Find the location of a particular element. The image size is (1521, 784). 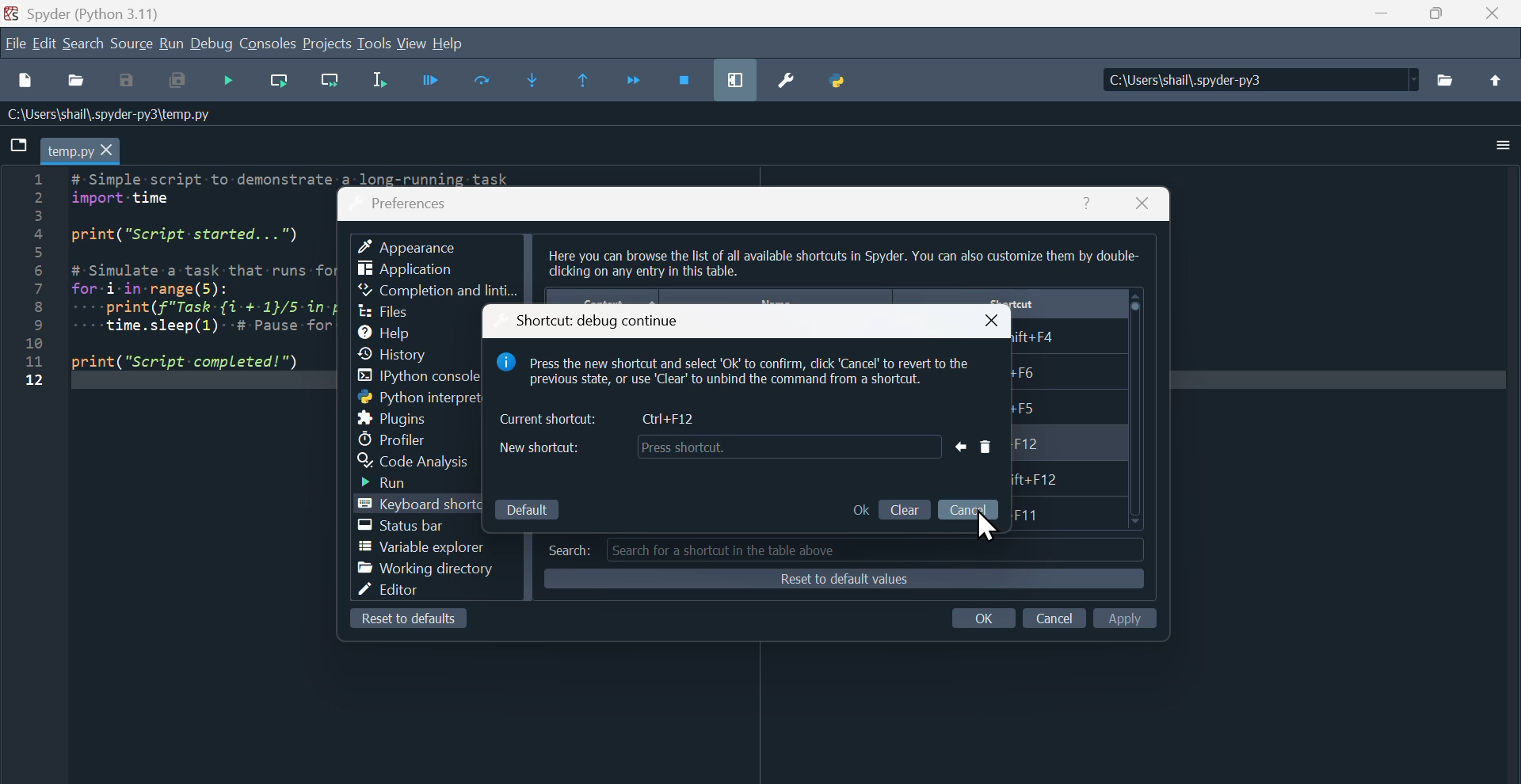

Preferences is located at coordinates (791, 78).